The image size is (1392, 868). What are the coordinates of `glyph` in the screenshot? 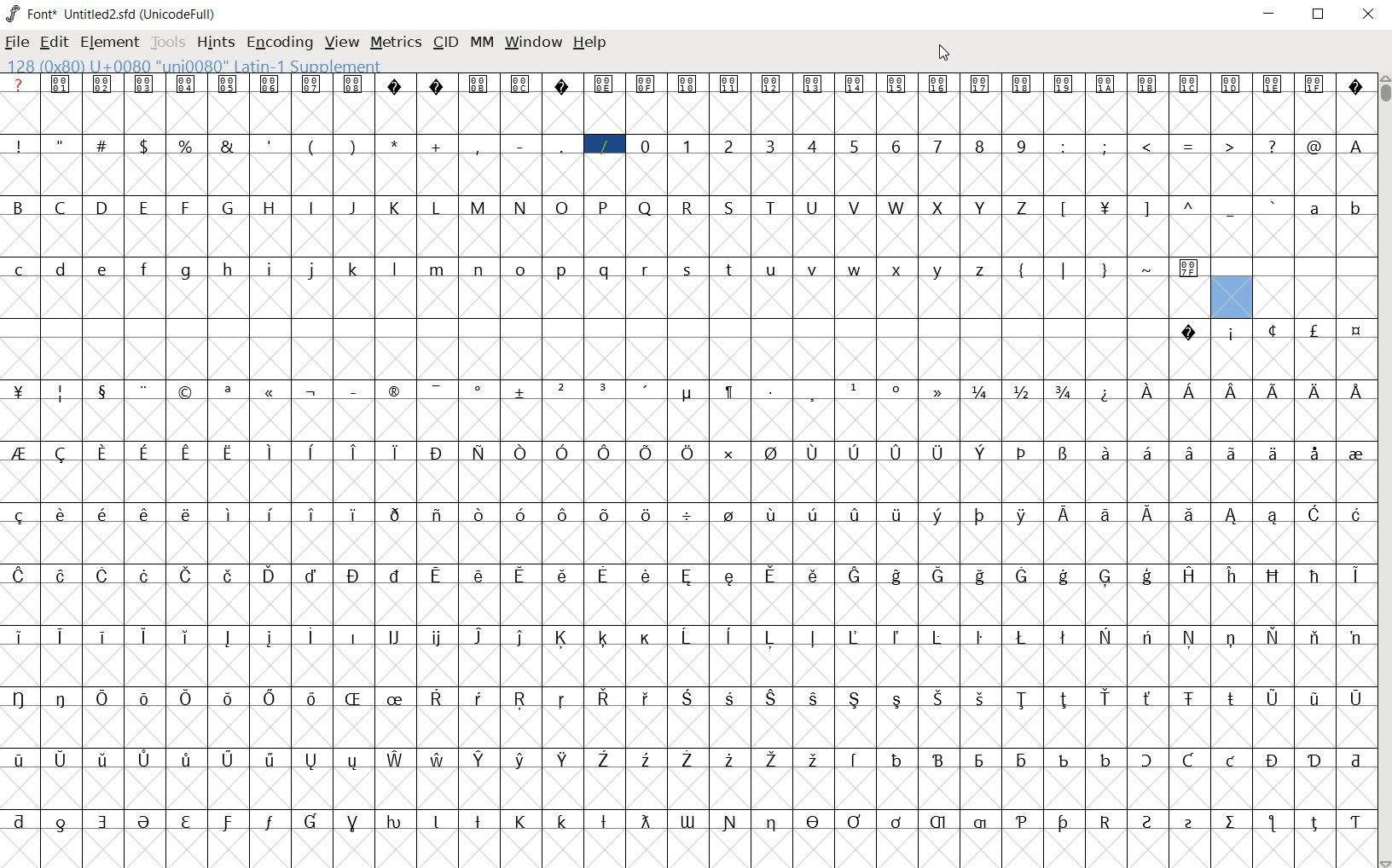 It's located at (143, 514).